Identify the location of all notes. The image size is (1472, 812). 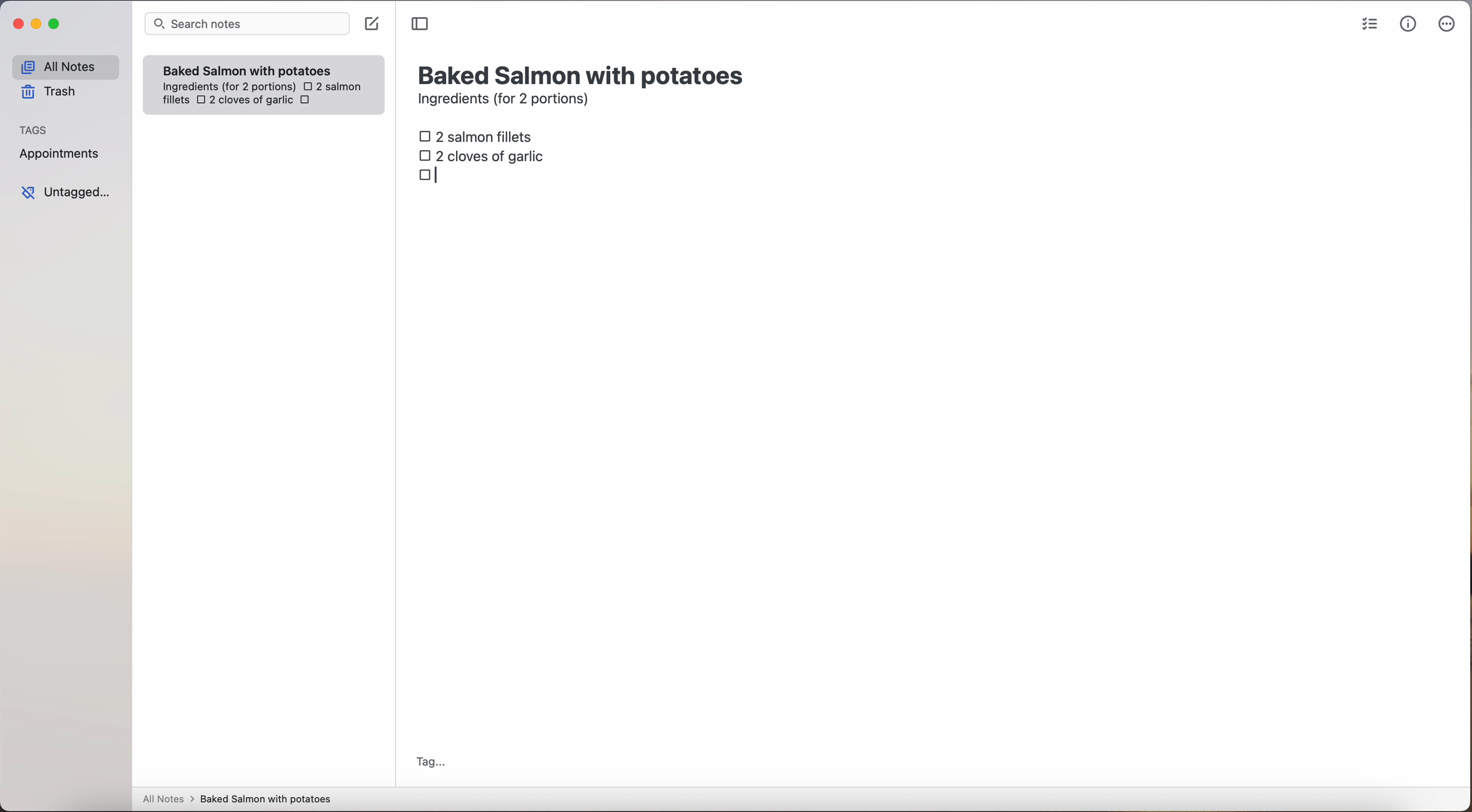
(65, 66).